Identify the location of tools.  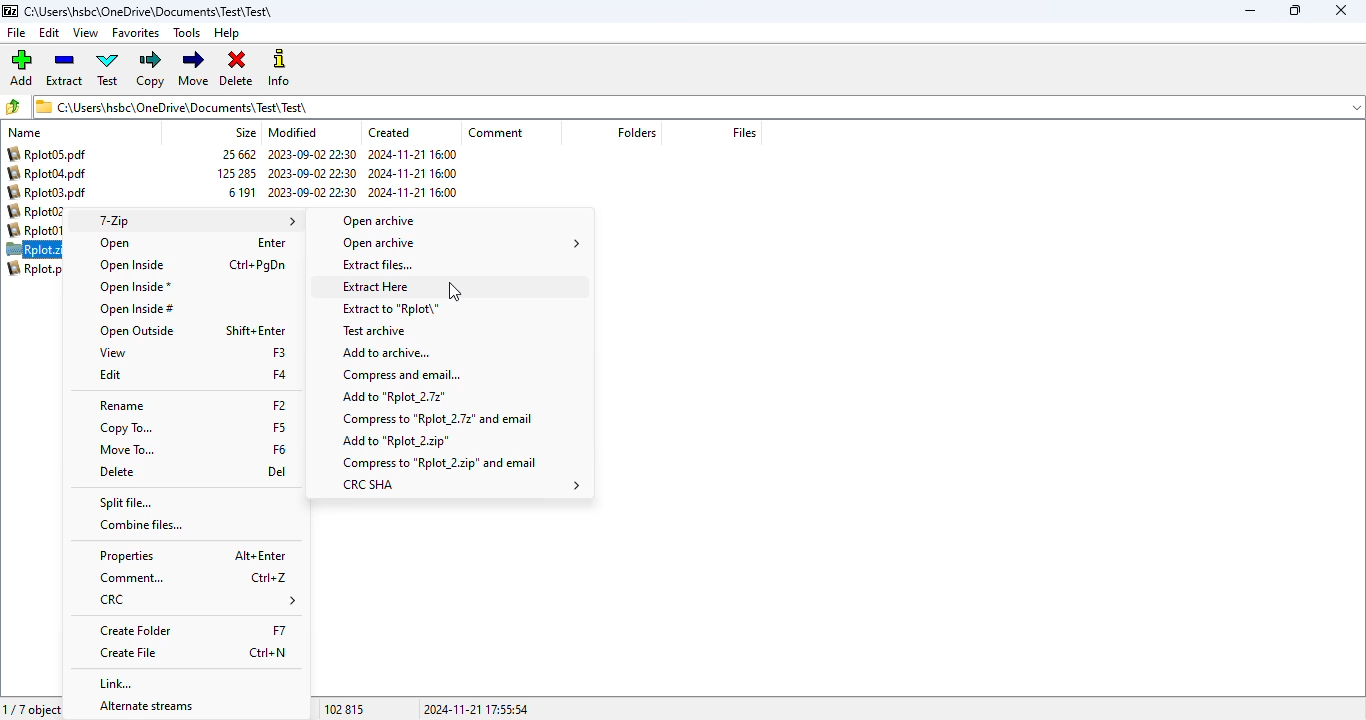
(186, 33).